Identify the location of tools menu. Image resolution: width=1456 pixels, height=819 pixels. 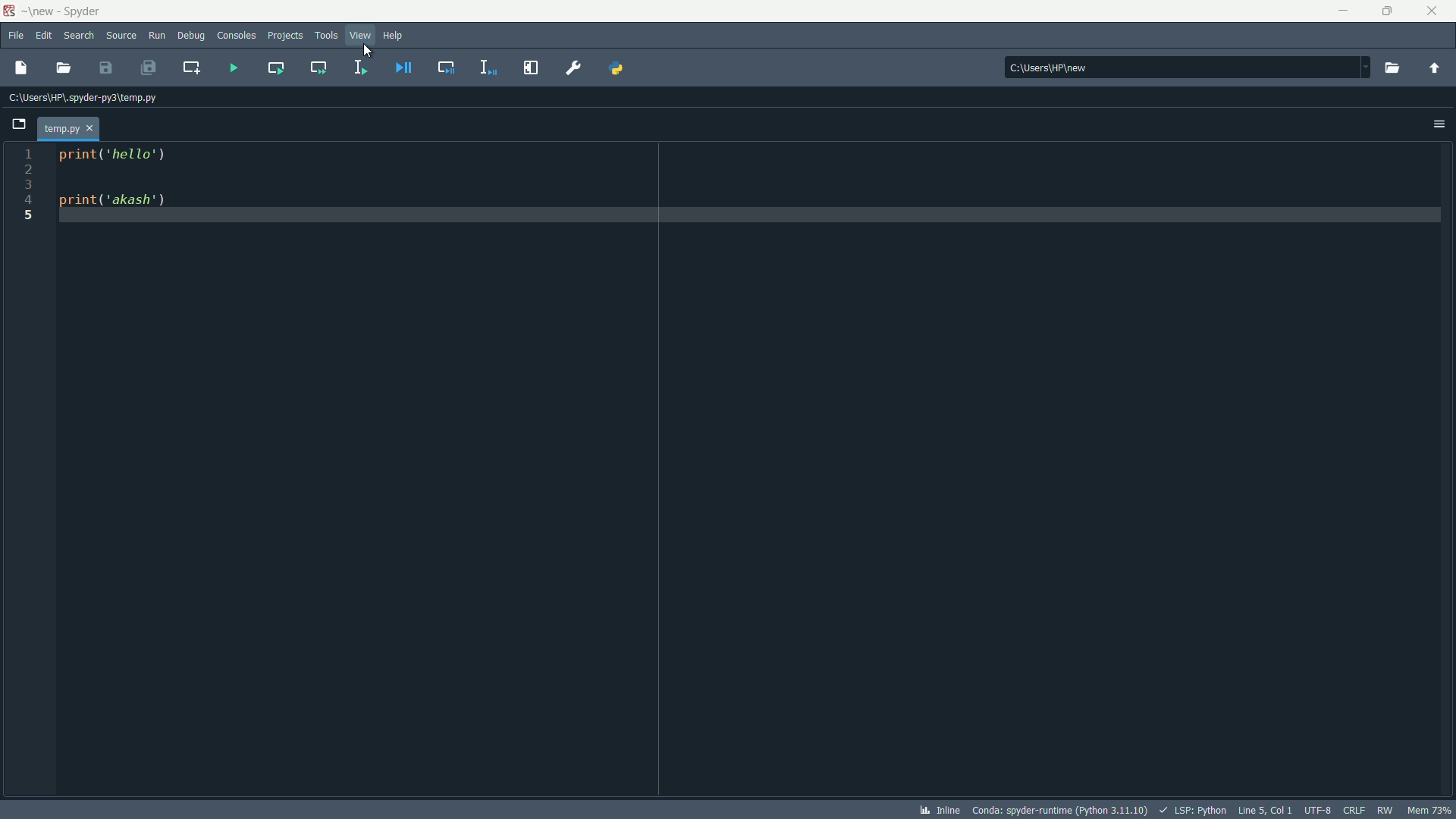
(325, 34).